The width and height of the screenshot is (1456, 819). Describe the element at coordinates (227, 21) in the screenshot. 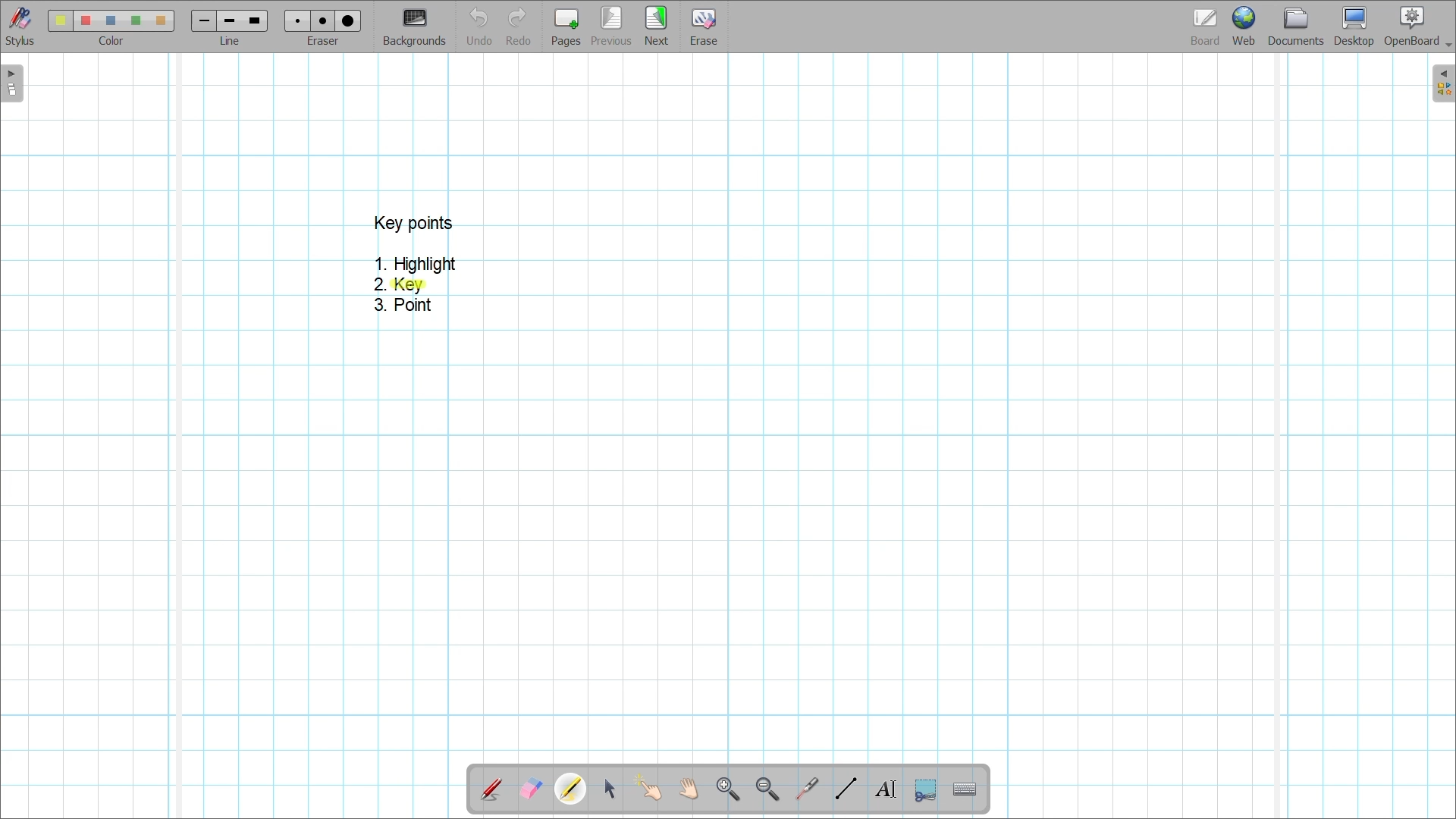

I see `line 2` at that location.